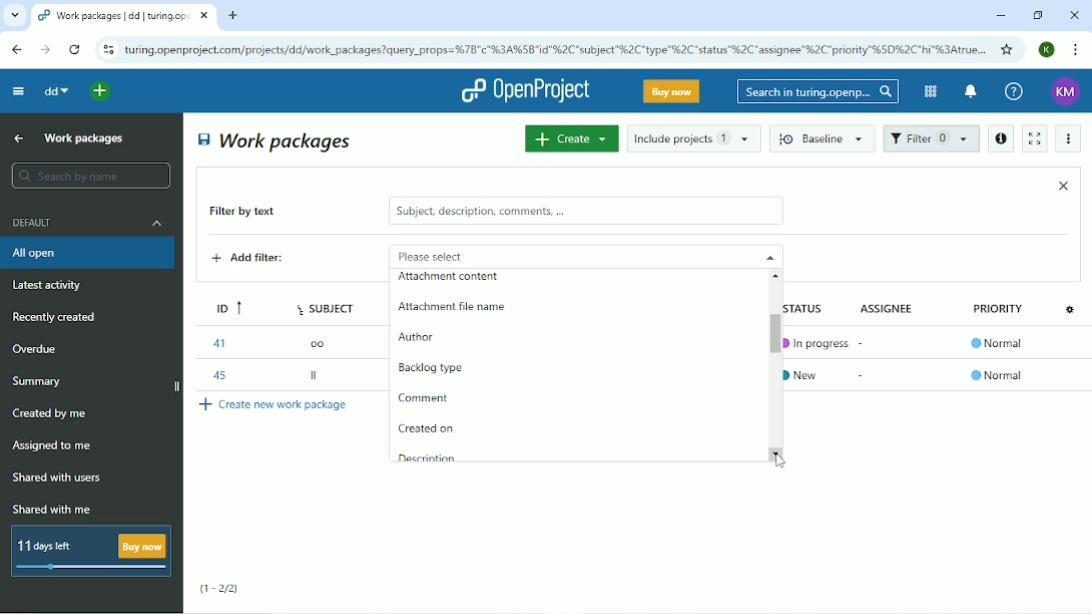  I want to click on Include projects 1, so click(694, 138).